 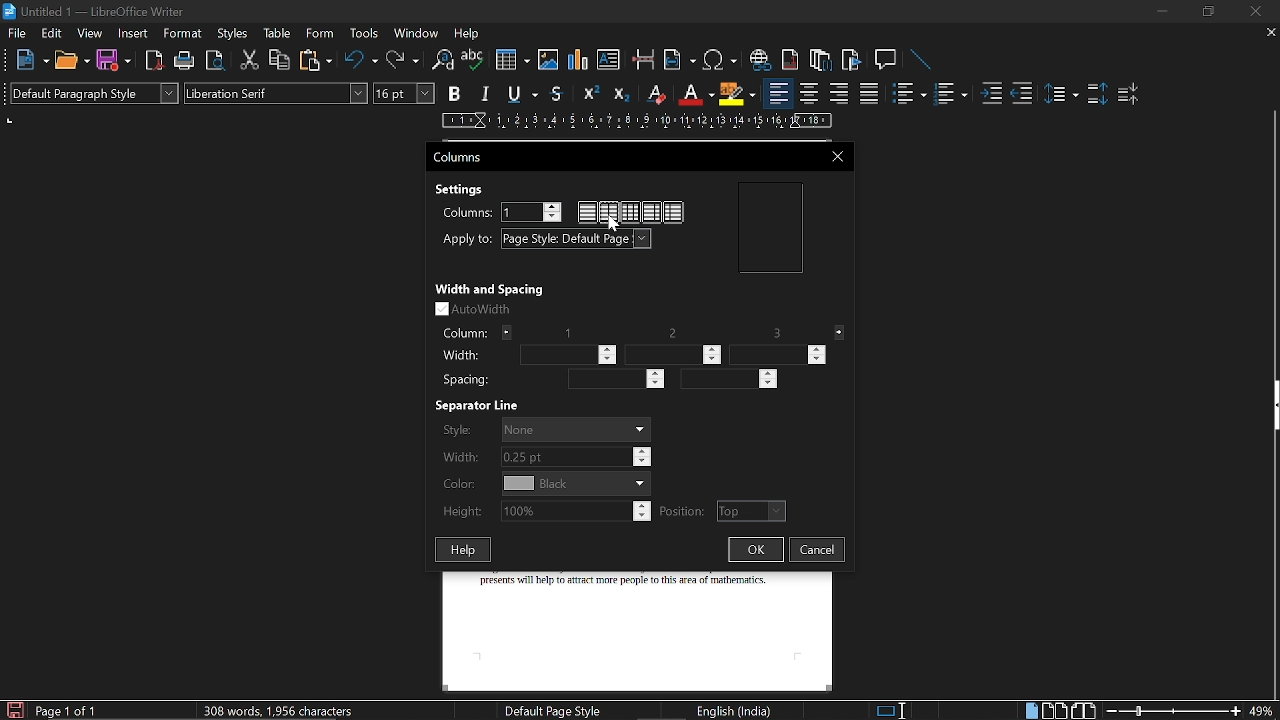 I want to click on single page, so click(x=1026, y=709).